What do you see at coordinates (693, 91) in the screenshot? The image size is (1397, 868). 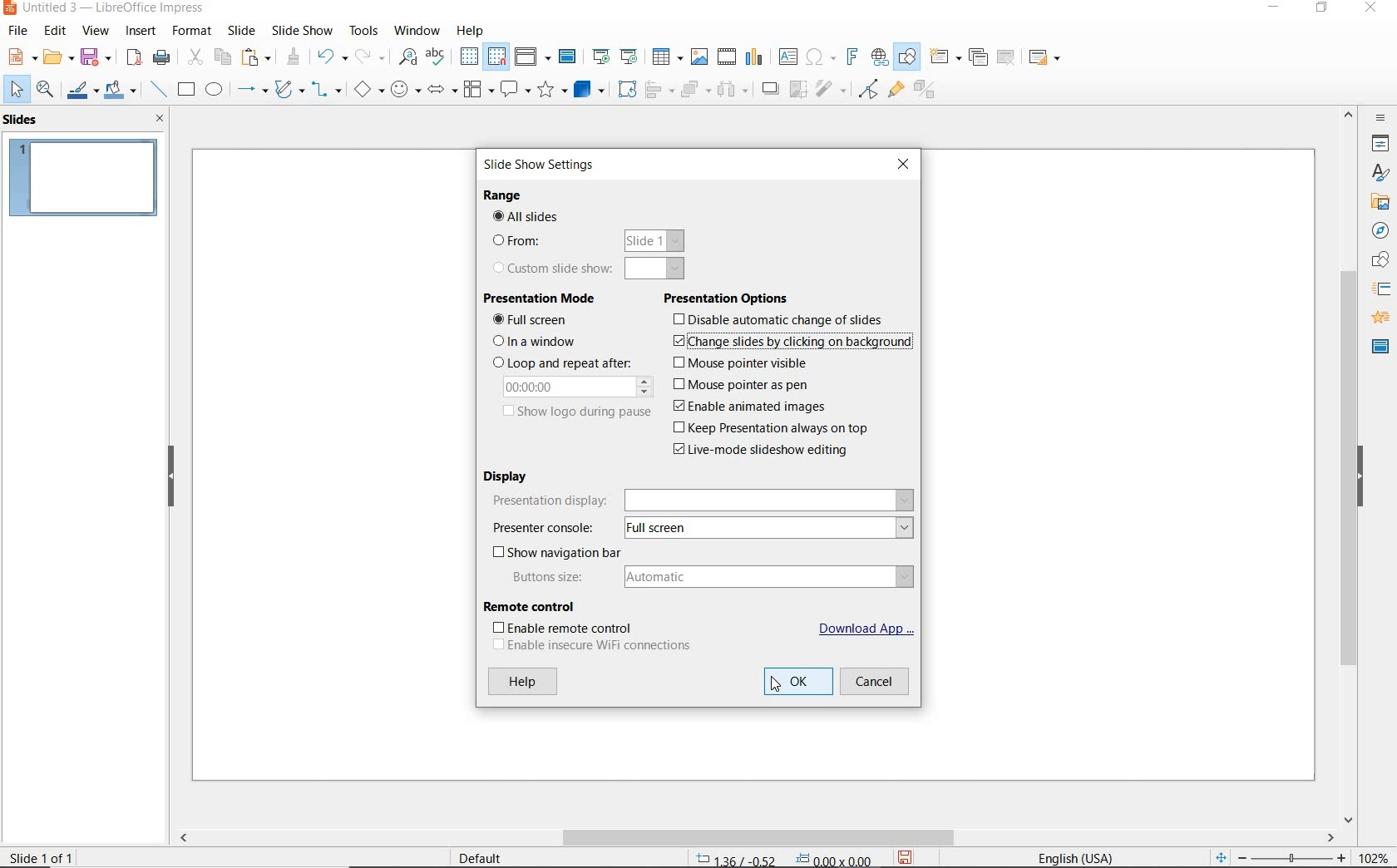 I see `ARRANGE` at bounding box center [693, 91].